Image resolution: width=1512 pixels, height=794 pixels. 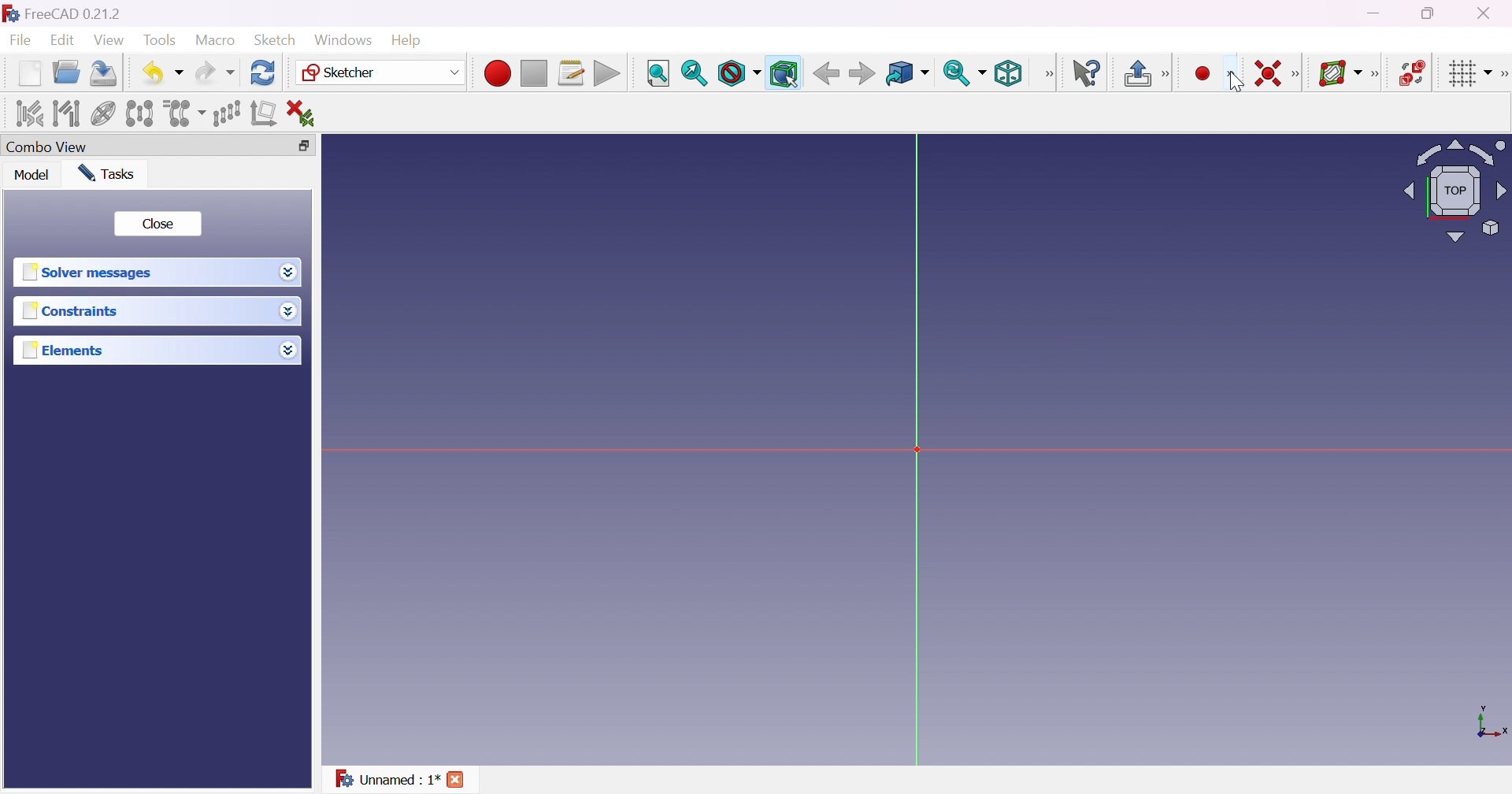 I want to click on Constraints, so click(x=74, y=311).